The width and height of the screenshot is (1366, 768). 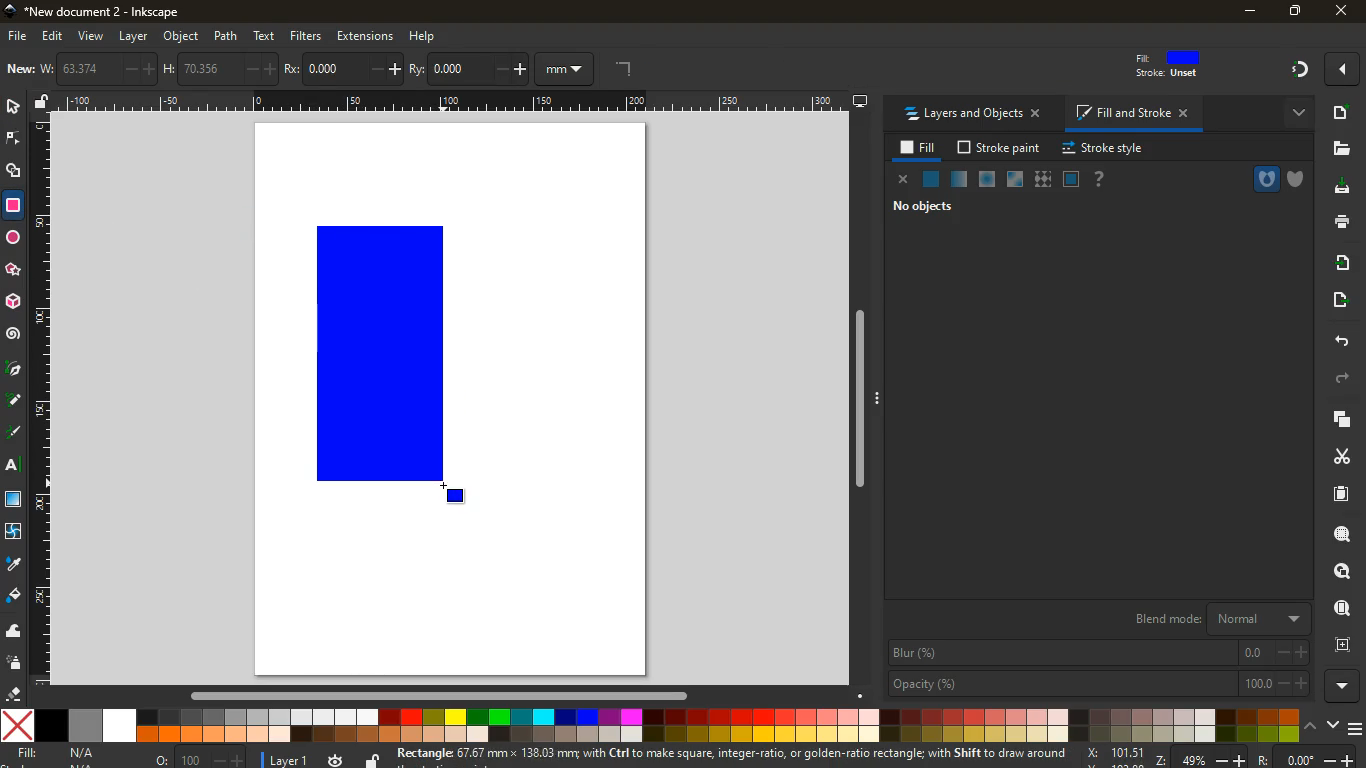 I want to click on po, so click(x=344, y=70).